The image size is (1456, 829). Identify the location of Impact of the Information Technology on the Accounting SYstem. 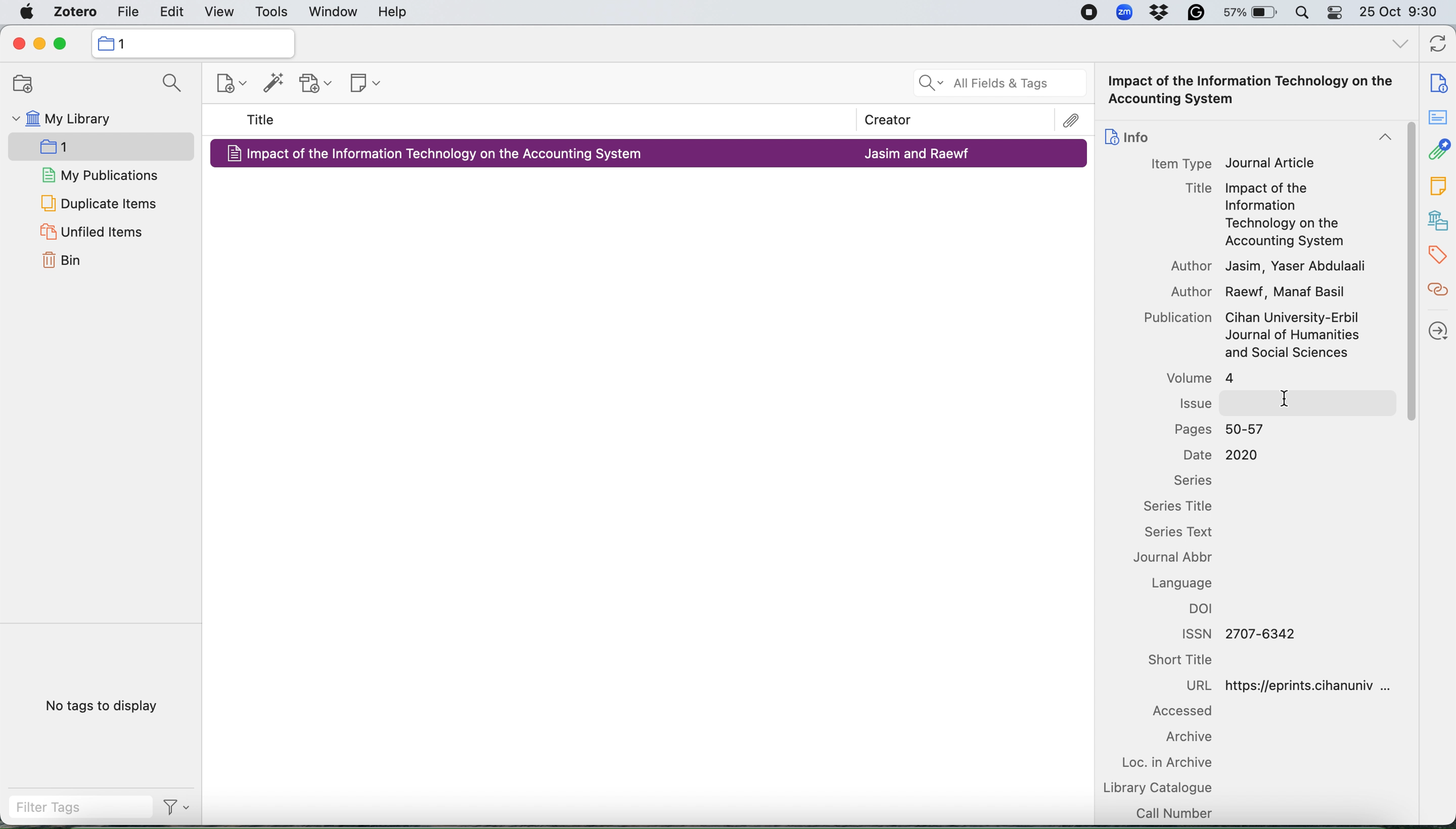
(1256, 91).